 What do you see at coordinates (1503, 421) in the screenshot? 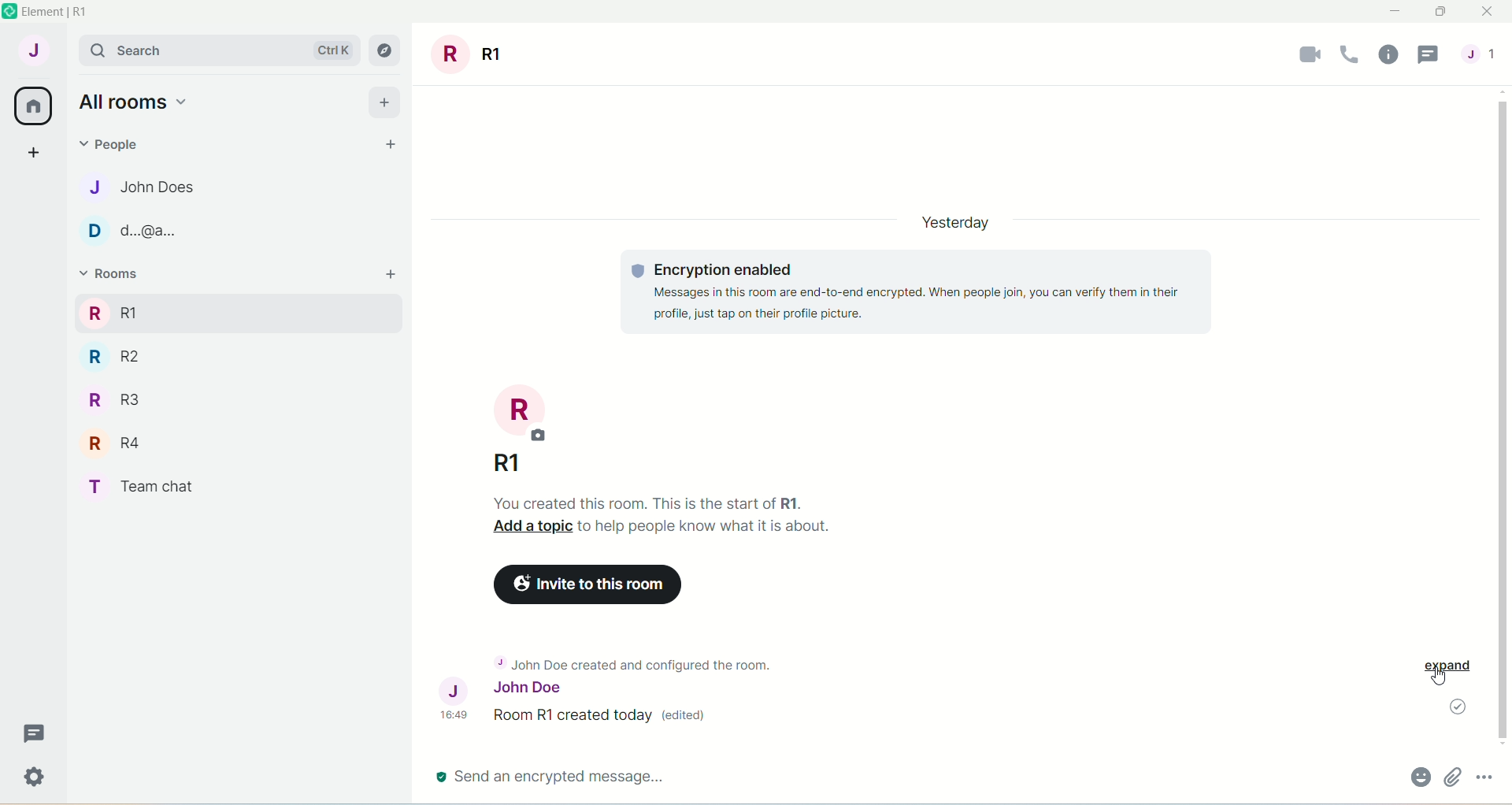
I see `Scrollbar` at bounding box center [1503, 421].